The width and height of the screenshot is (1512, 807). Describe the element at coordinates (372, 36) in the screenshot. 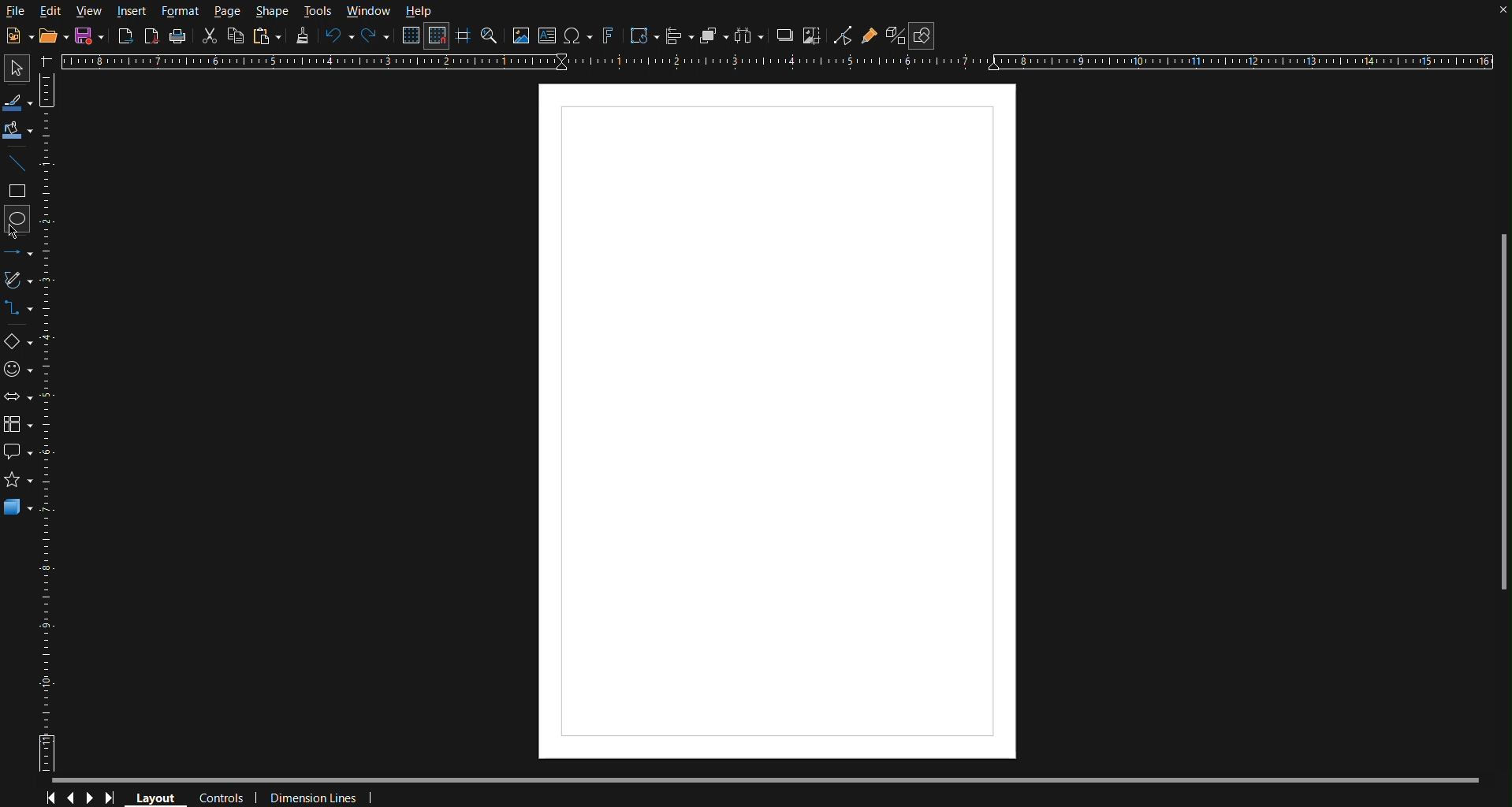

I see `Redo` at that location.